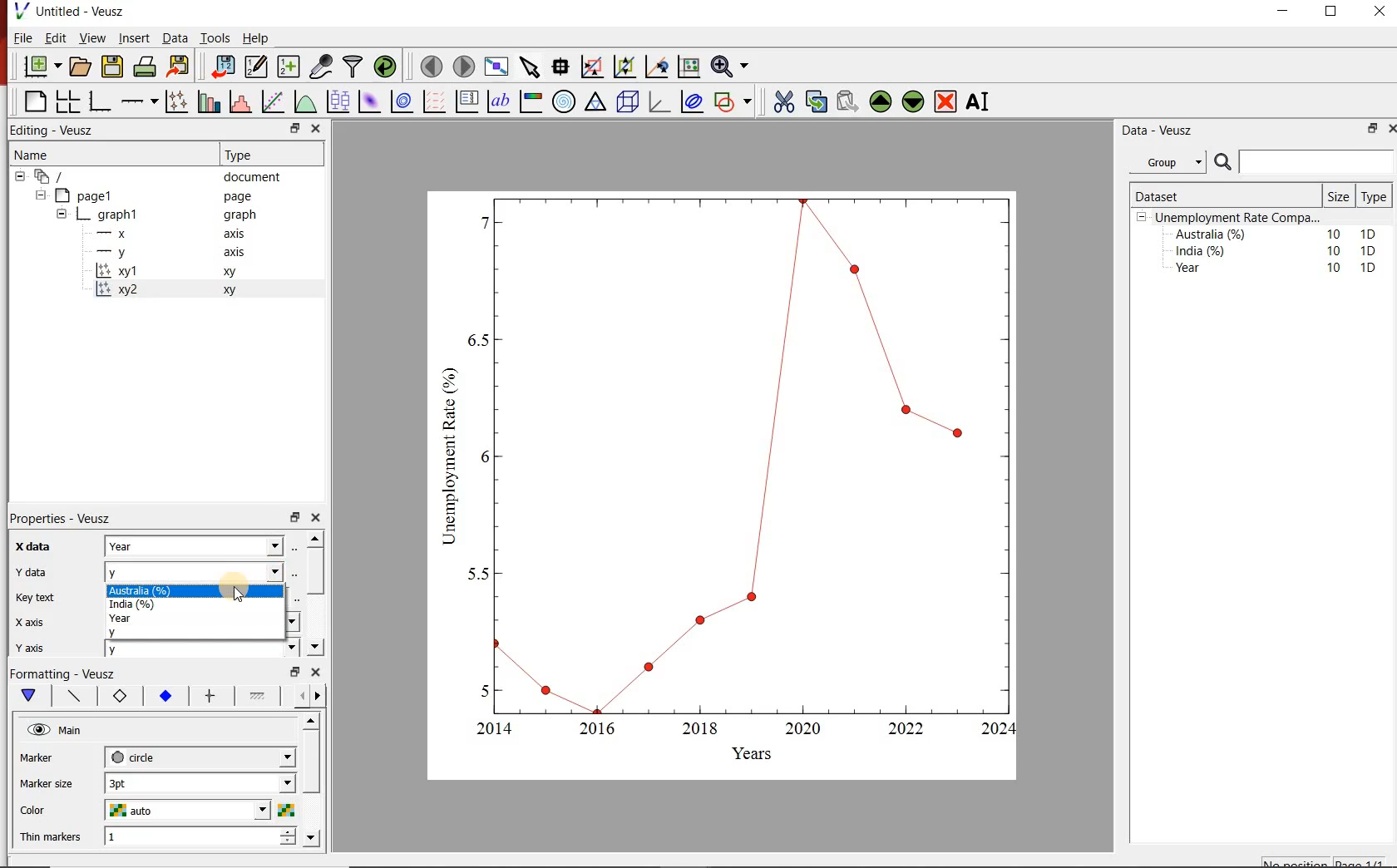  I want to click on histograms, so click(239, 101).